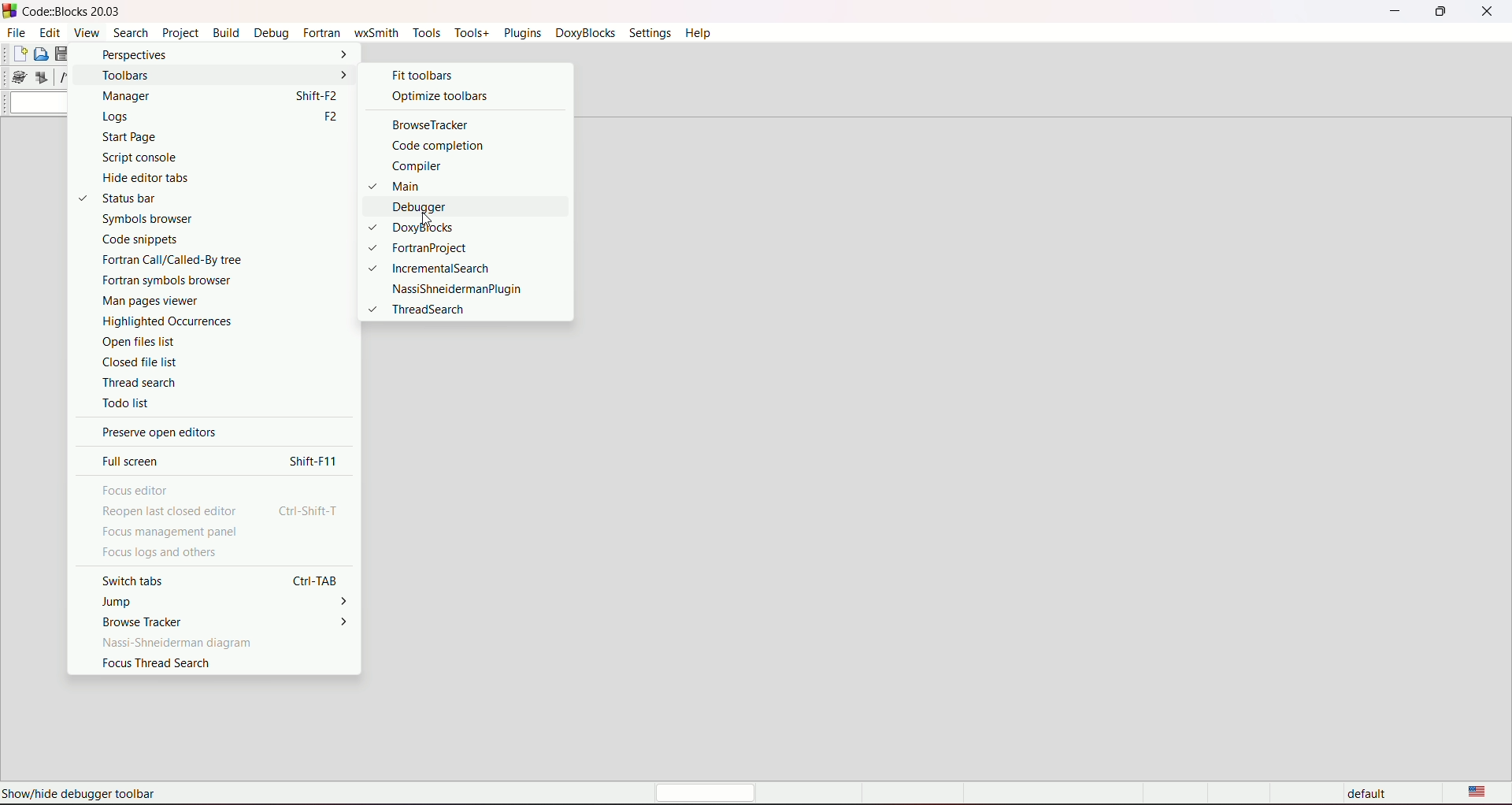  Describe the element at coordinates (50, 32) in the screenshot. I see `edit` at that location.